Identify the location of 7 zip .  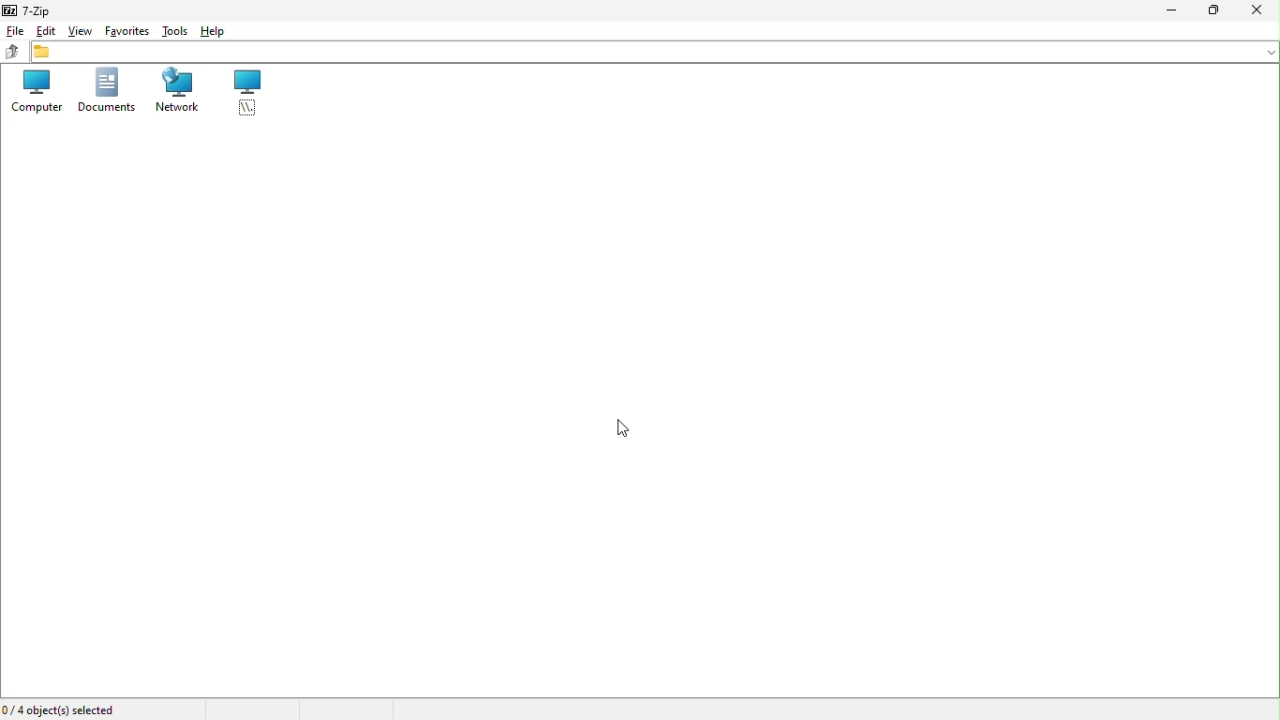
(33, 9).